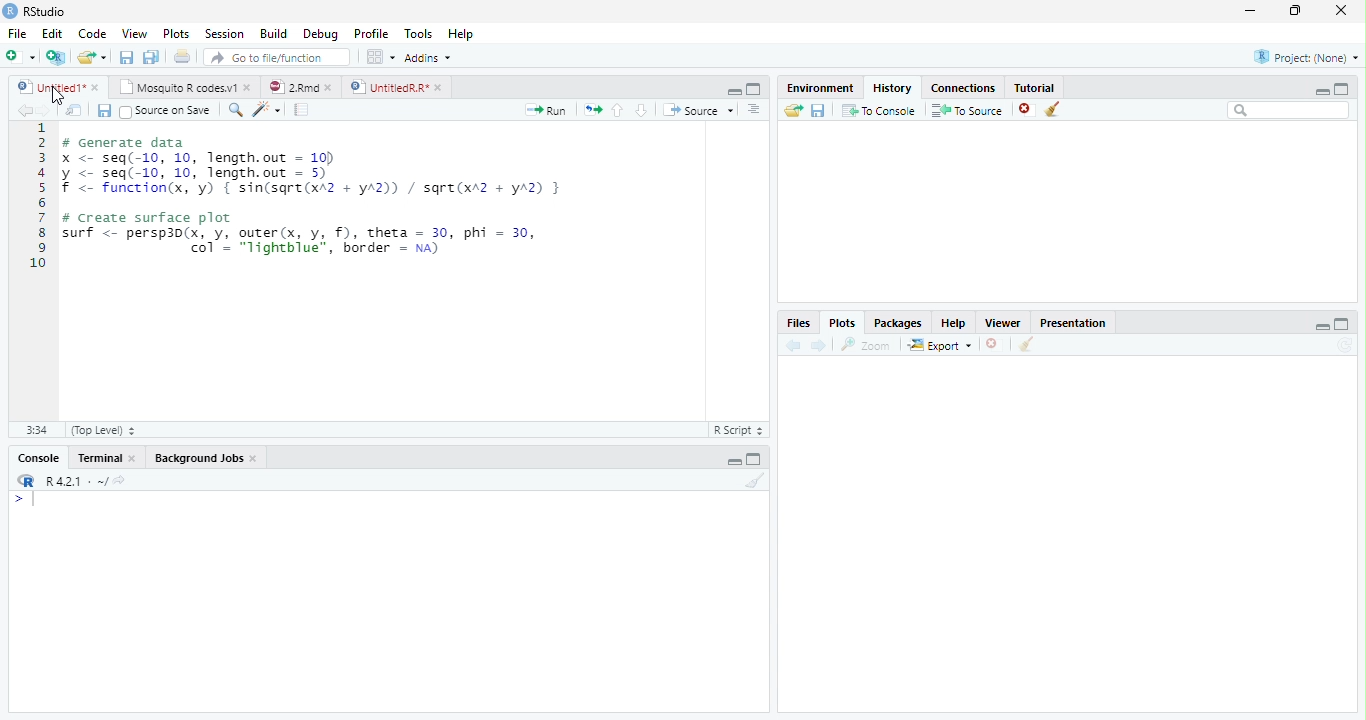  Describe the element at coordinates (105, 430) in the screenshot. I see `(Top Level)` at that location.